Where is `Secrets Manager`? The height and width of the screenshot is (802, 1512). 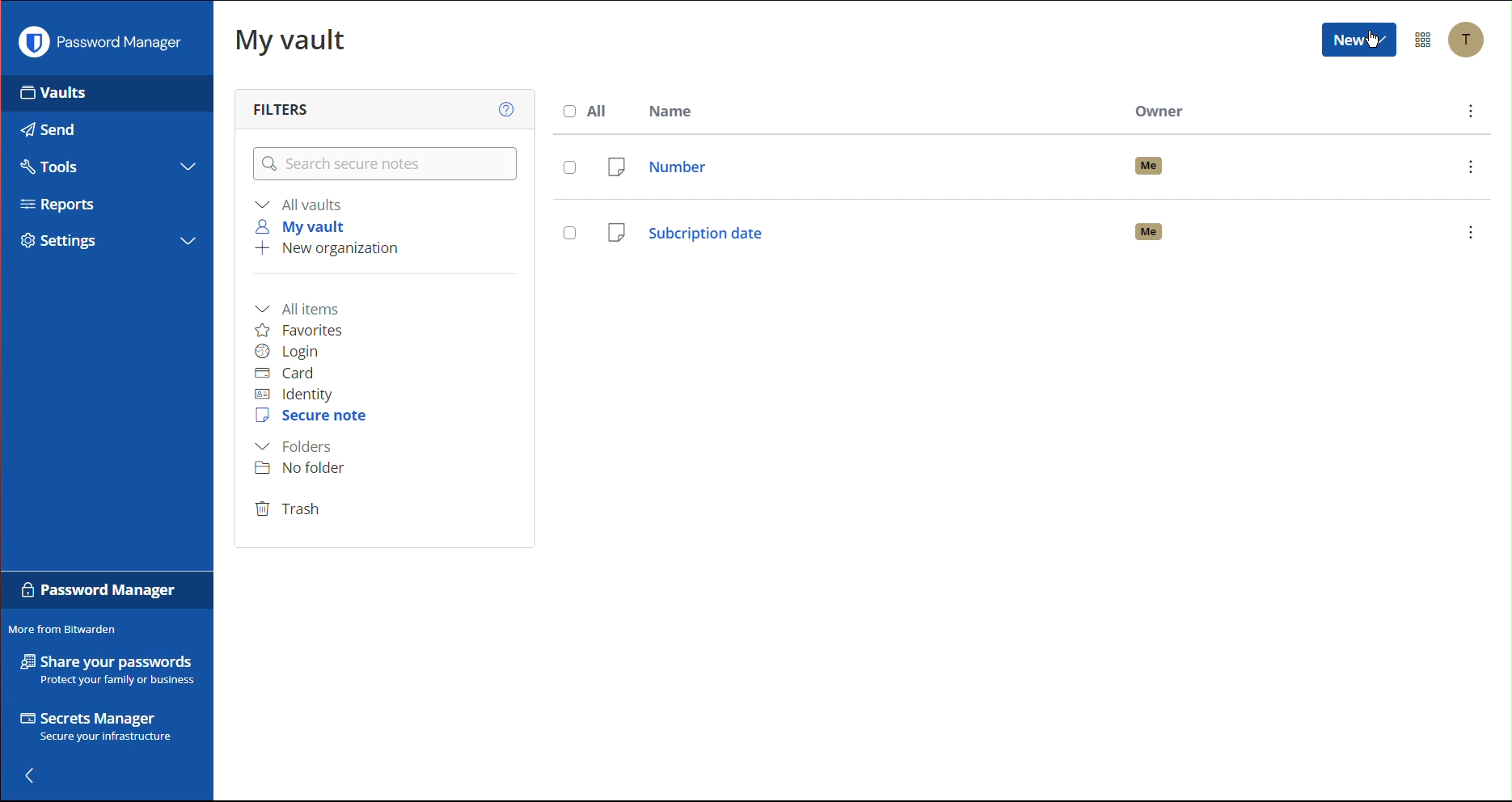
Secrets Manager is located at coordinates (94, 726).